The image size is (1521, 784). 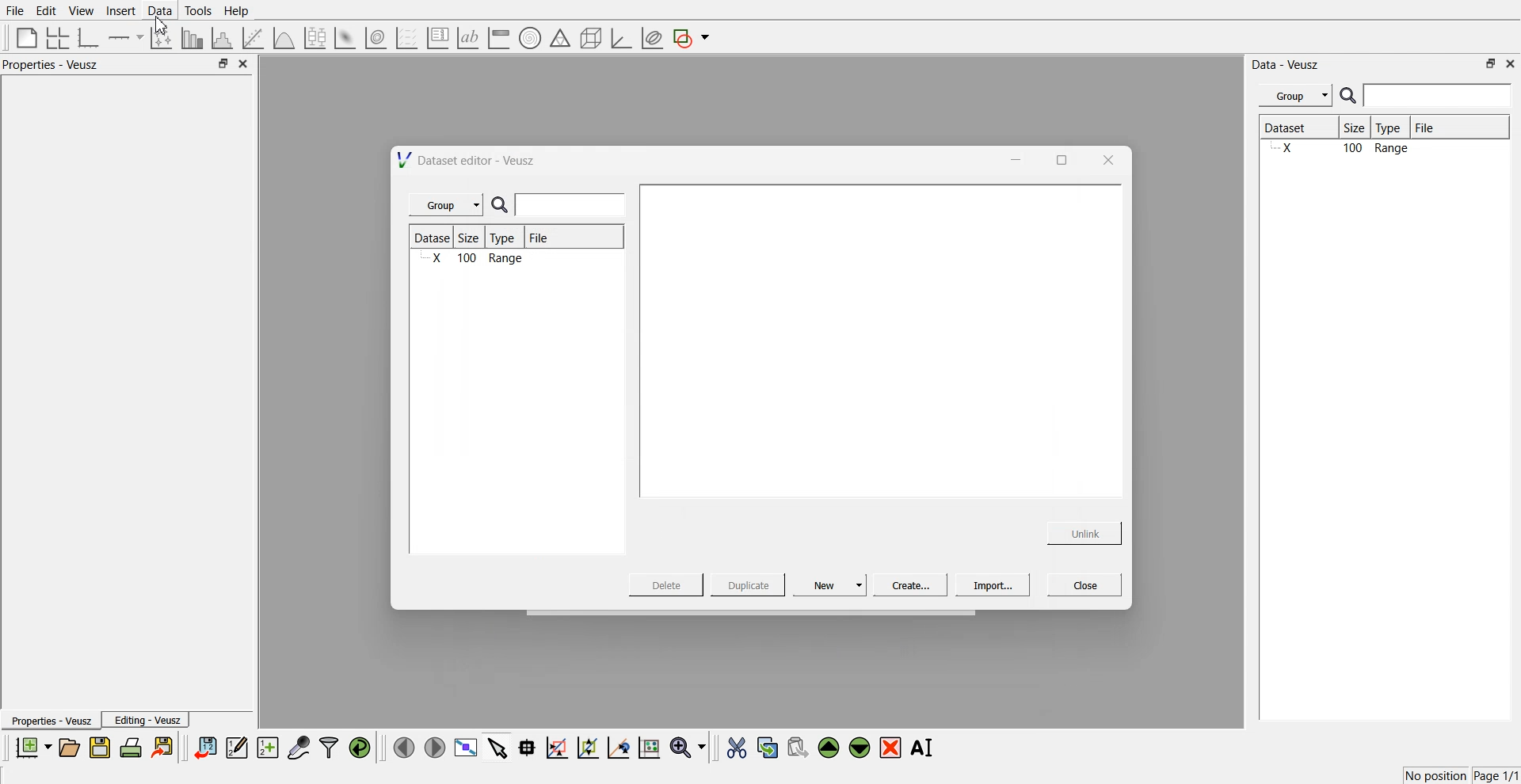 I want to click on plot a 2d data set as contour, so click(x=375, y=39).